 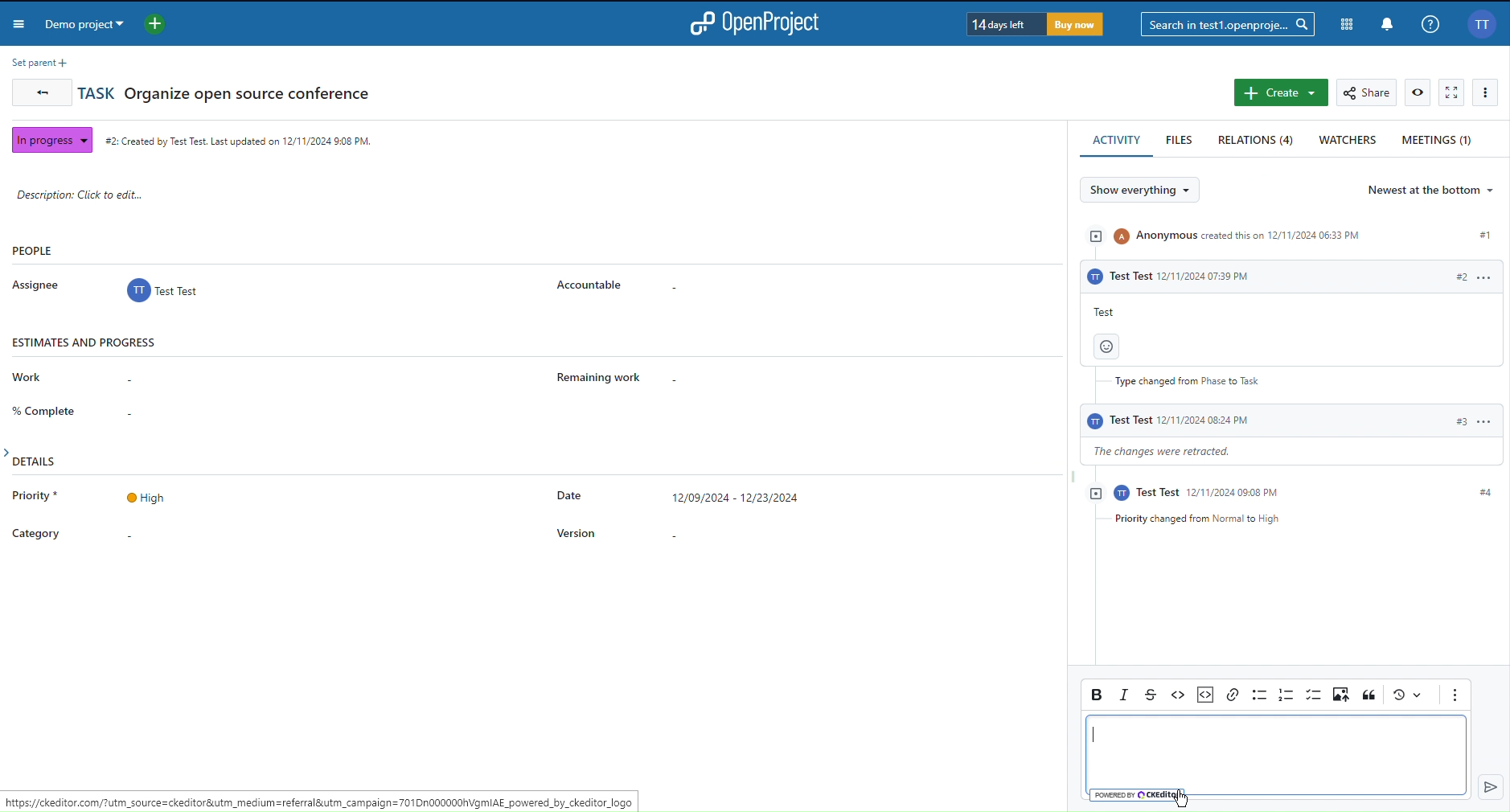 What do you see at coordinates (96, 195) in the screenshot?
I see `Description` at bounding box center [96, 195].